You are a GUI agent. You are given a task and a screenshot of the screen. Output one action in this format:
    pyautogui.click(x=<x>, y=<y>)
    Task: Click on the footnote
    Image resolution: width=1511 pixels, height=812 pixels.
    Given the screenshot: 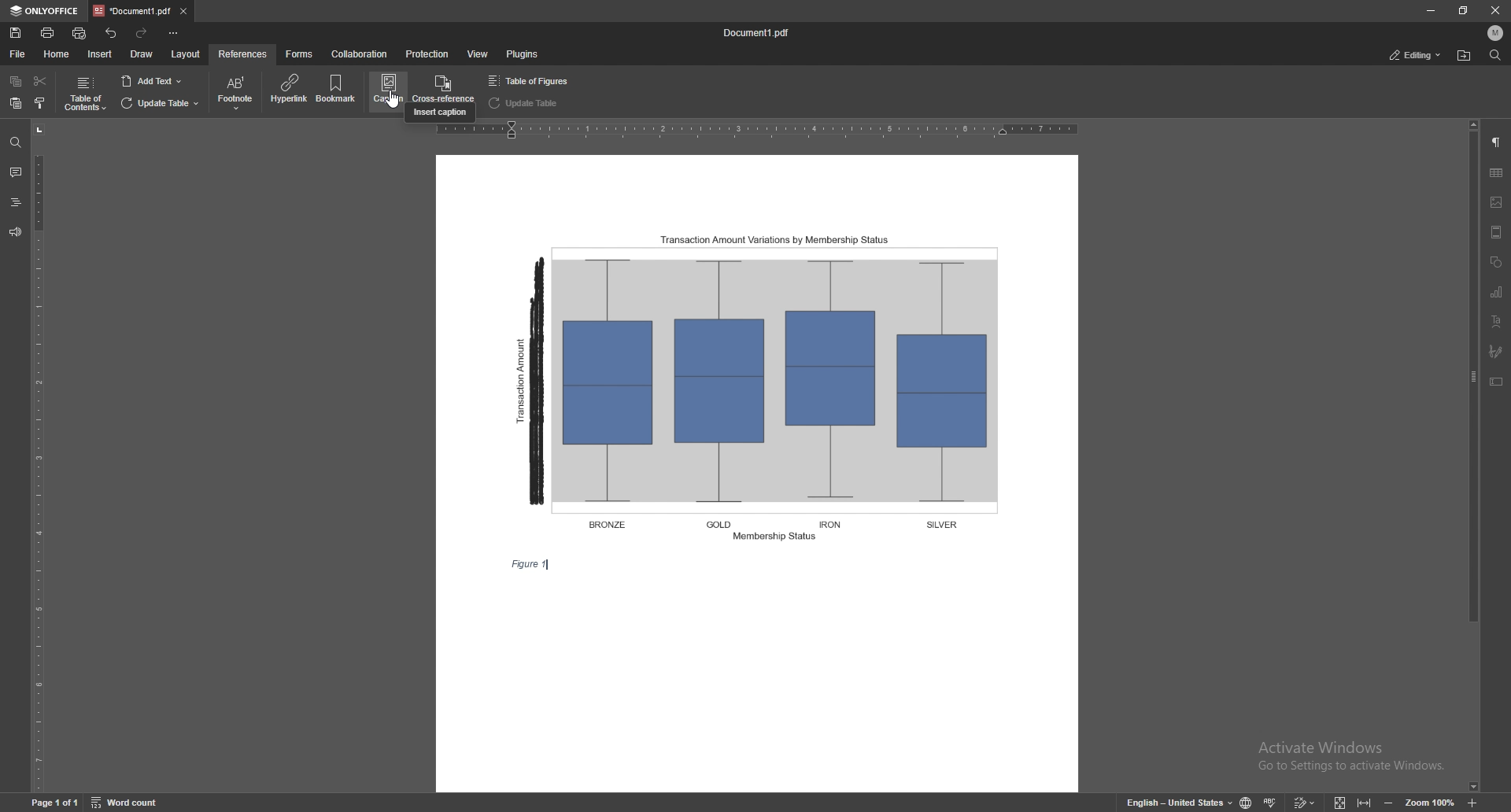 What is the action you would take?
    pyautogui.click(x=235, y=93)
    